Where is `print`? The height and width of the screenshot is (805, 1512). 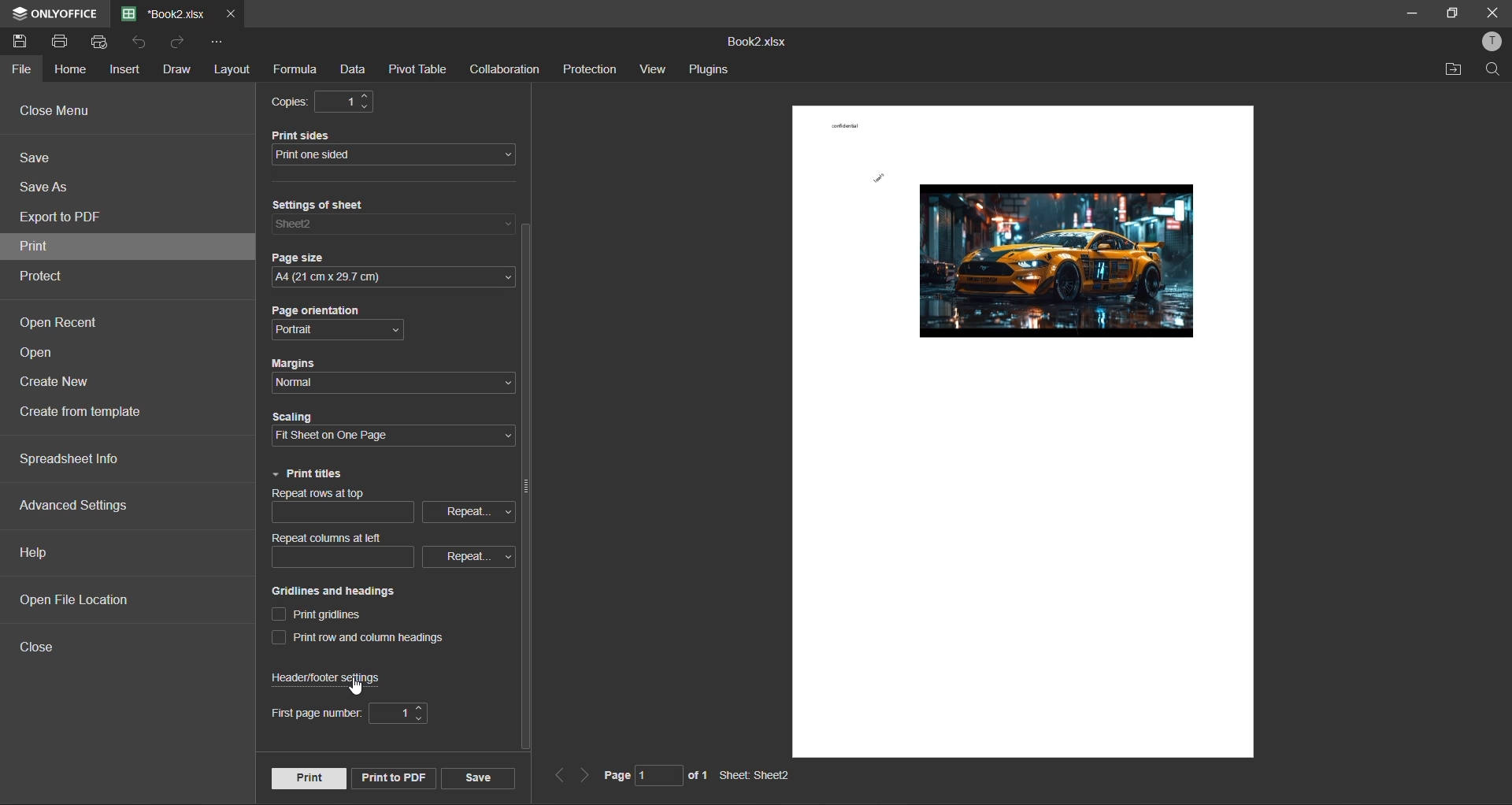 print is located at coordinates (308, 778).